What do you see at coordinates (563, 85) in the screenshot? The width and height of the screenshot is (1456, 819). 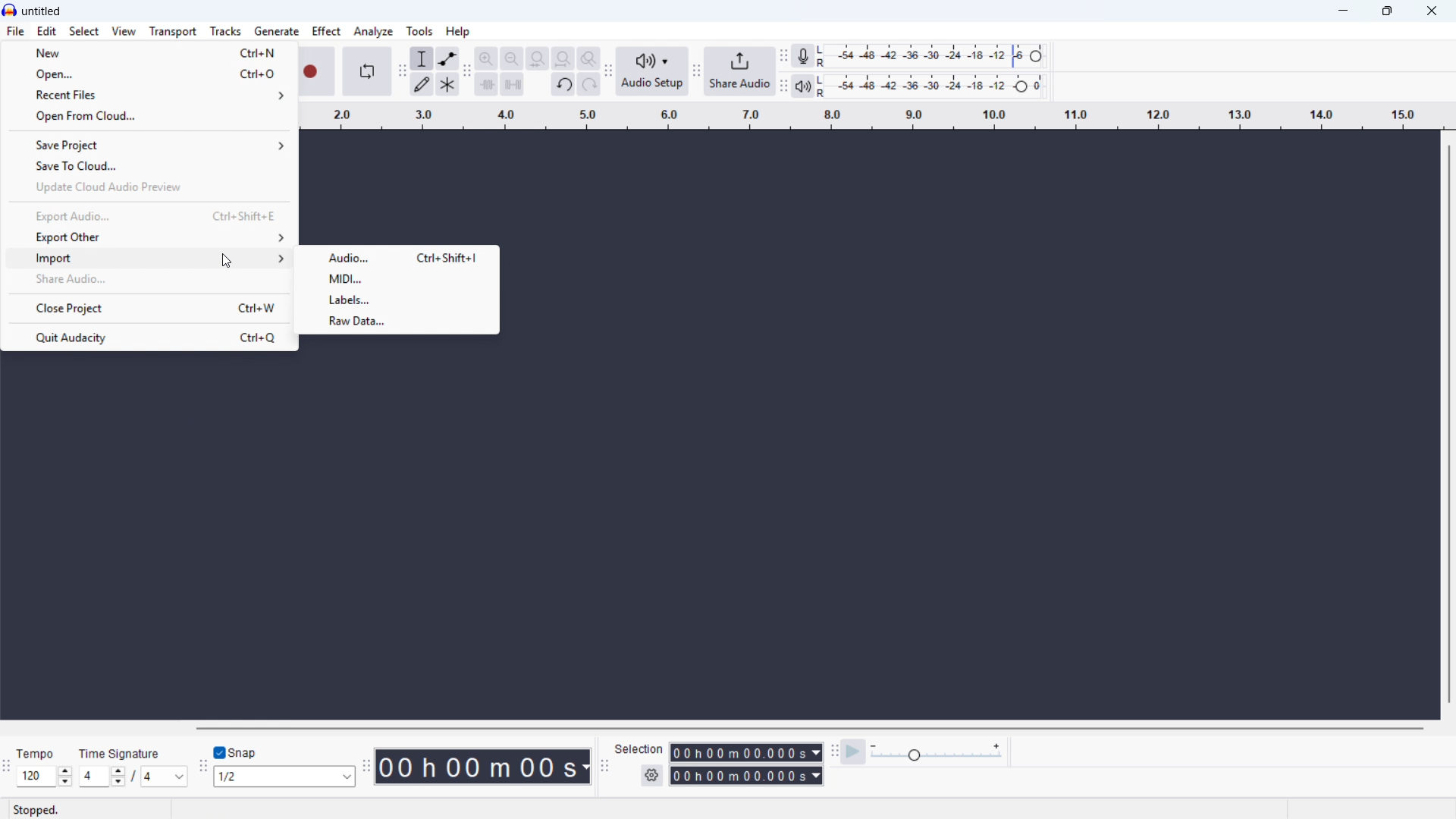 I see `Undo` at bounding box center [563, 85].